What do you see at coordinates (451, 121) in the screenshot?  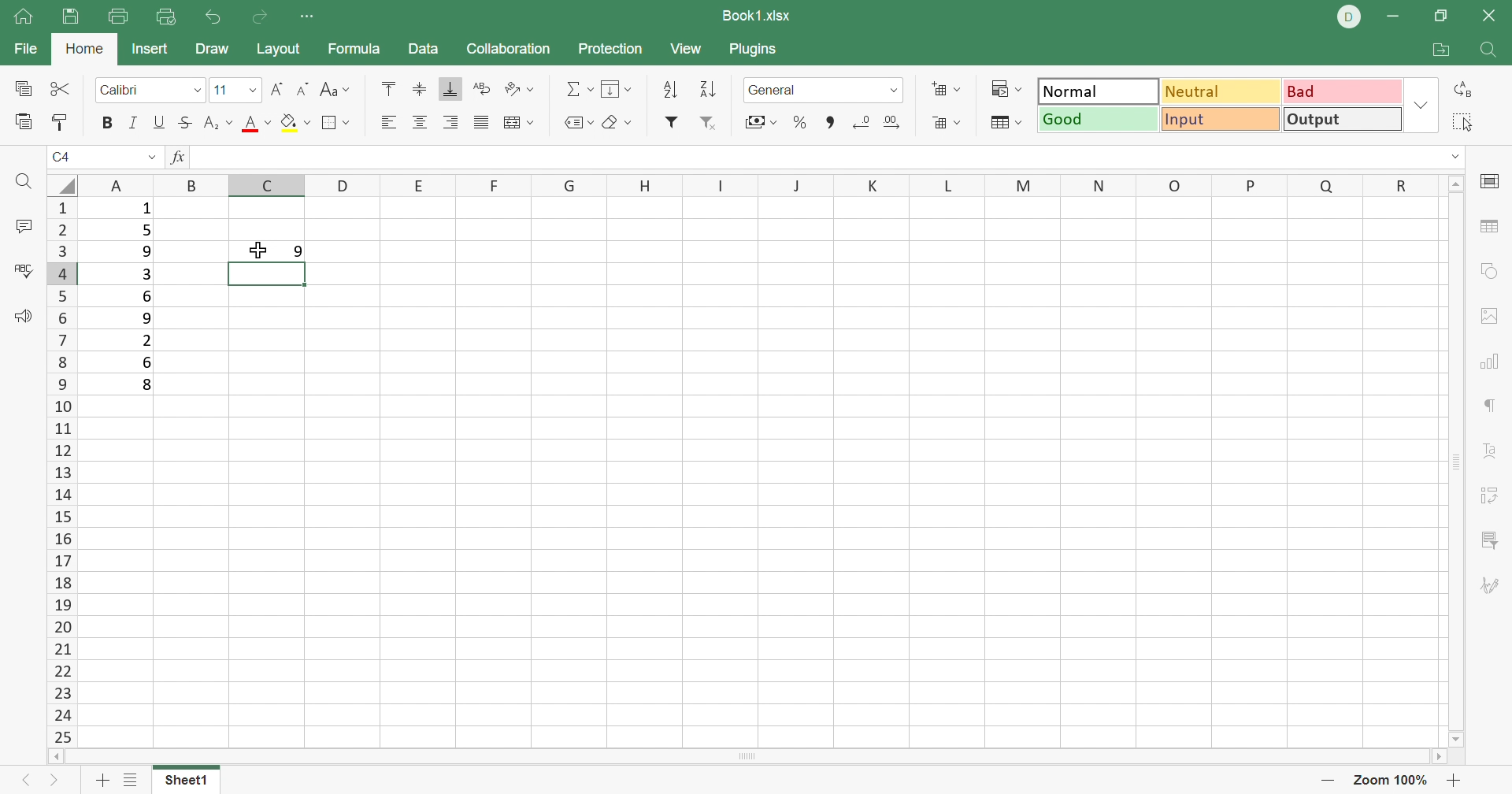 I see `Align Right` at bounding box center [451, 121].